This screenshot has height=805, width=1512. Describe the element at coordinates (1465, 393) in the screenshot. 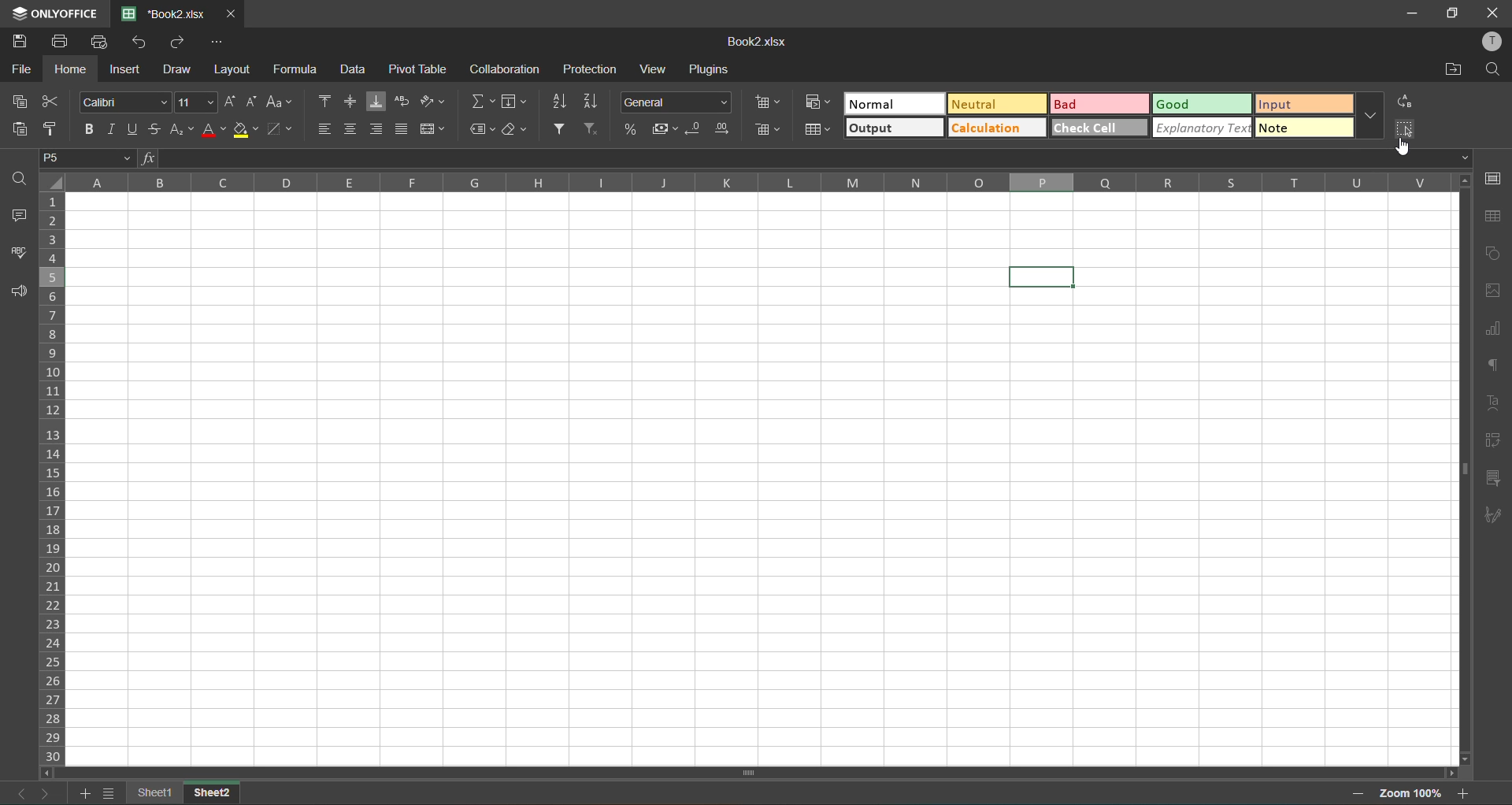

I see `vertical scroll bar` at that location.